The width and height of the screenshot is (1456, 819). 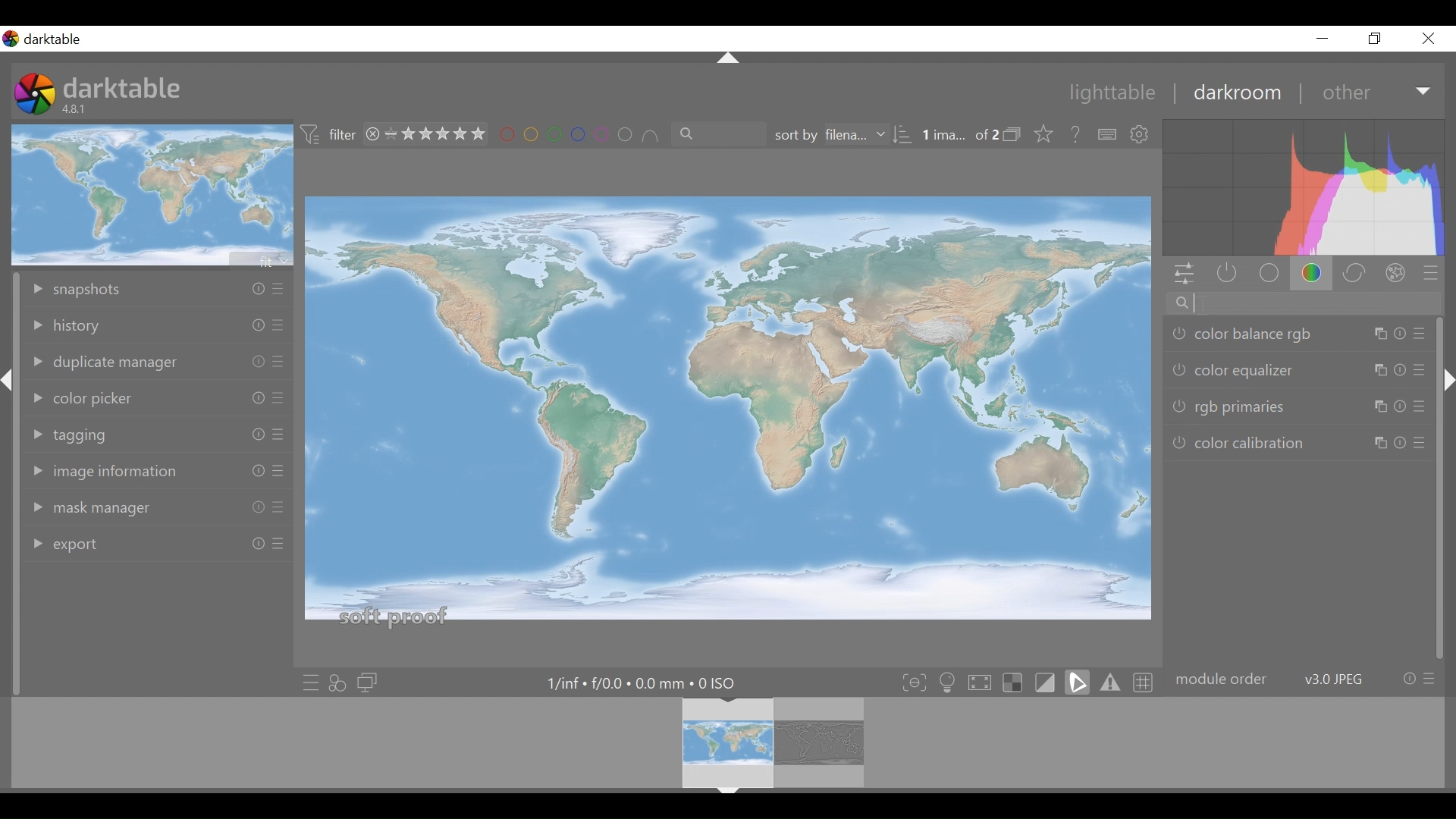 What do you see at coordinates (1296, 336) in the screenshot?
I see `color balances rgb` at bounding box center [1296, 336].